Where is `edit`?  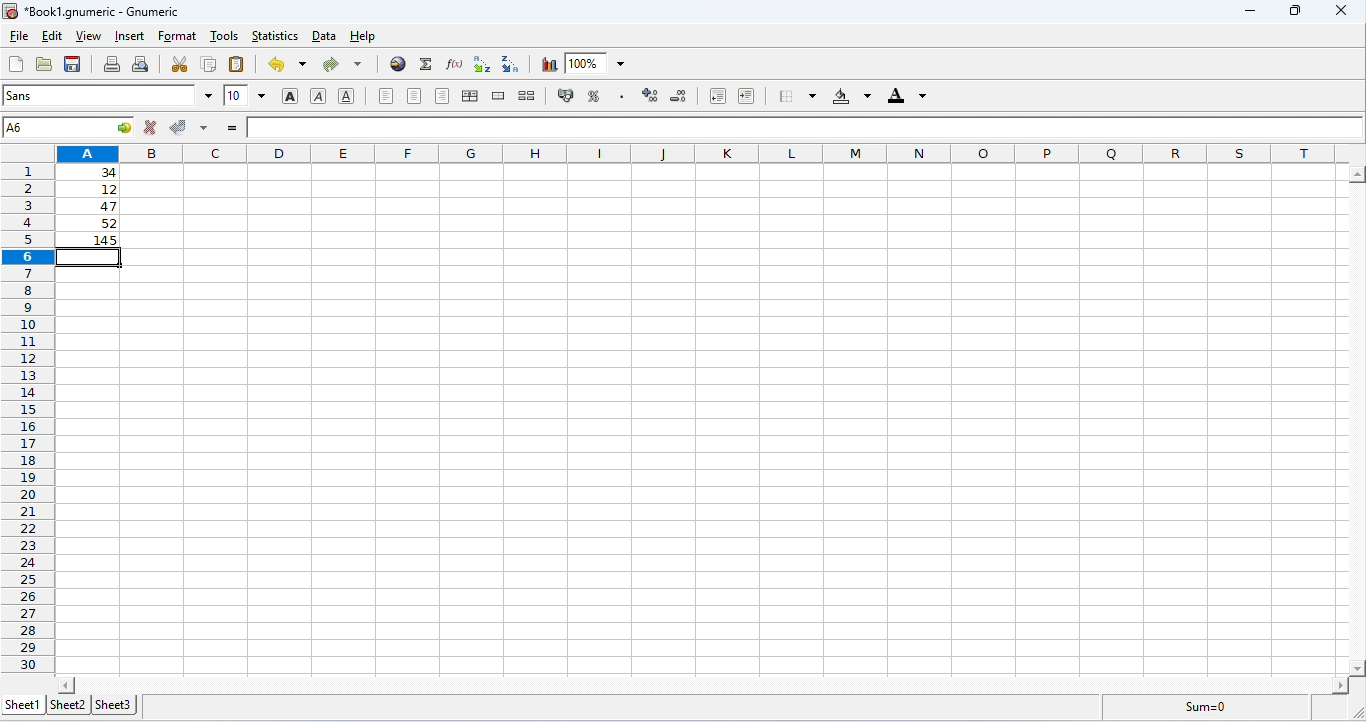 edit is located at coordinates (52, 37).